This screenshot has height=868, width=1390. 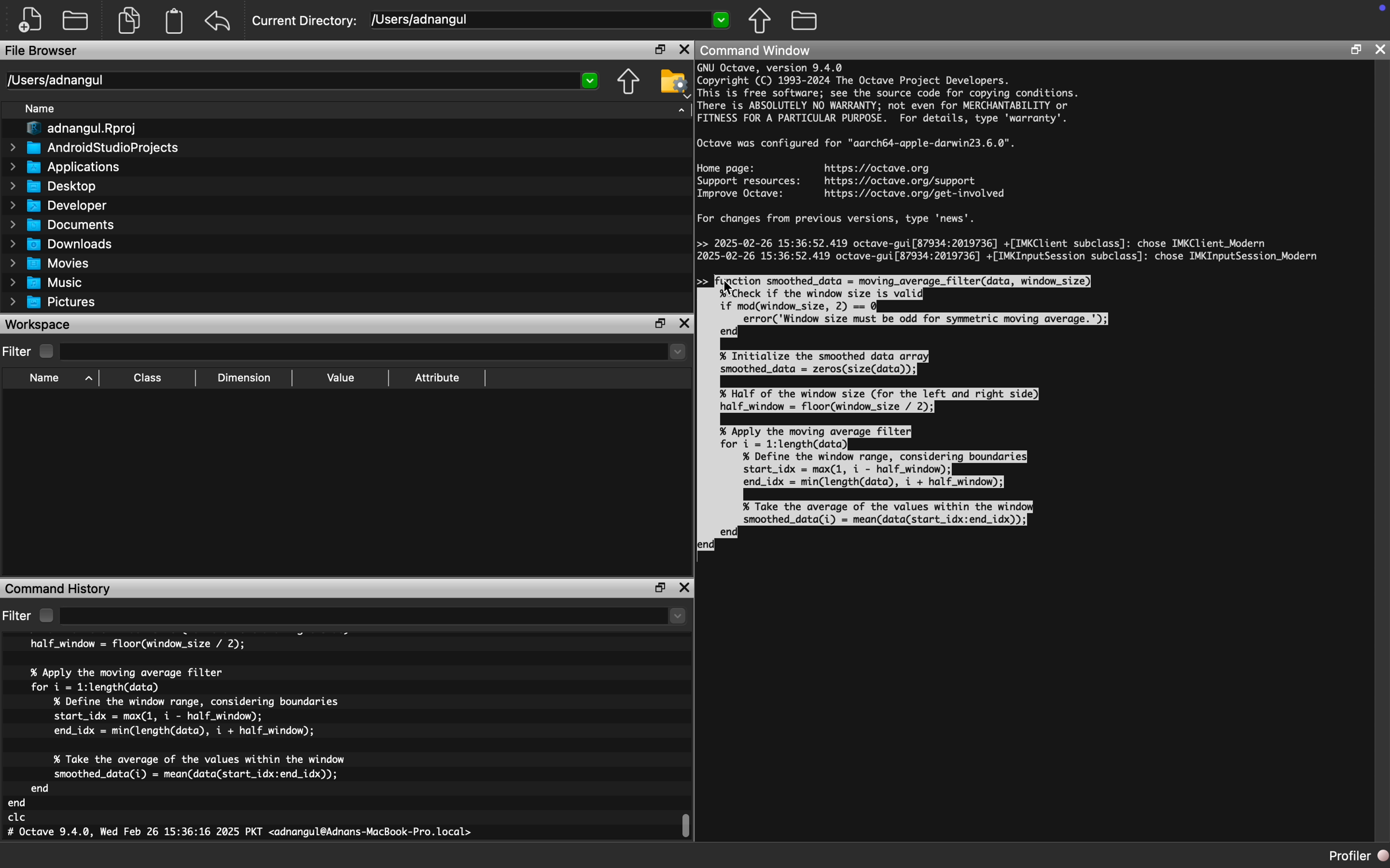 What do you see at coordinates (77, 21) in the screenshot?
I see `Open Folder` at bounding box center [77, 21].